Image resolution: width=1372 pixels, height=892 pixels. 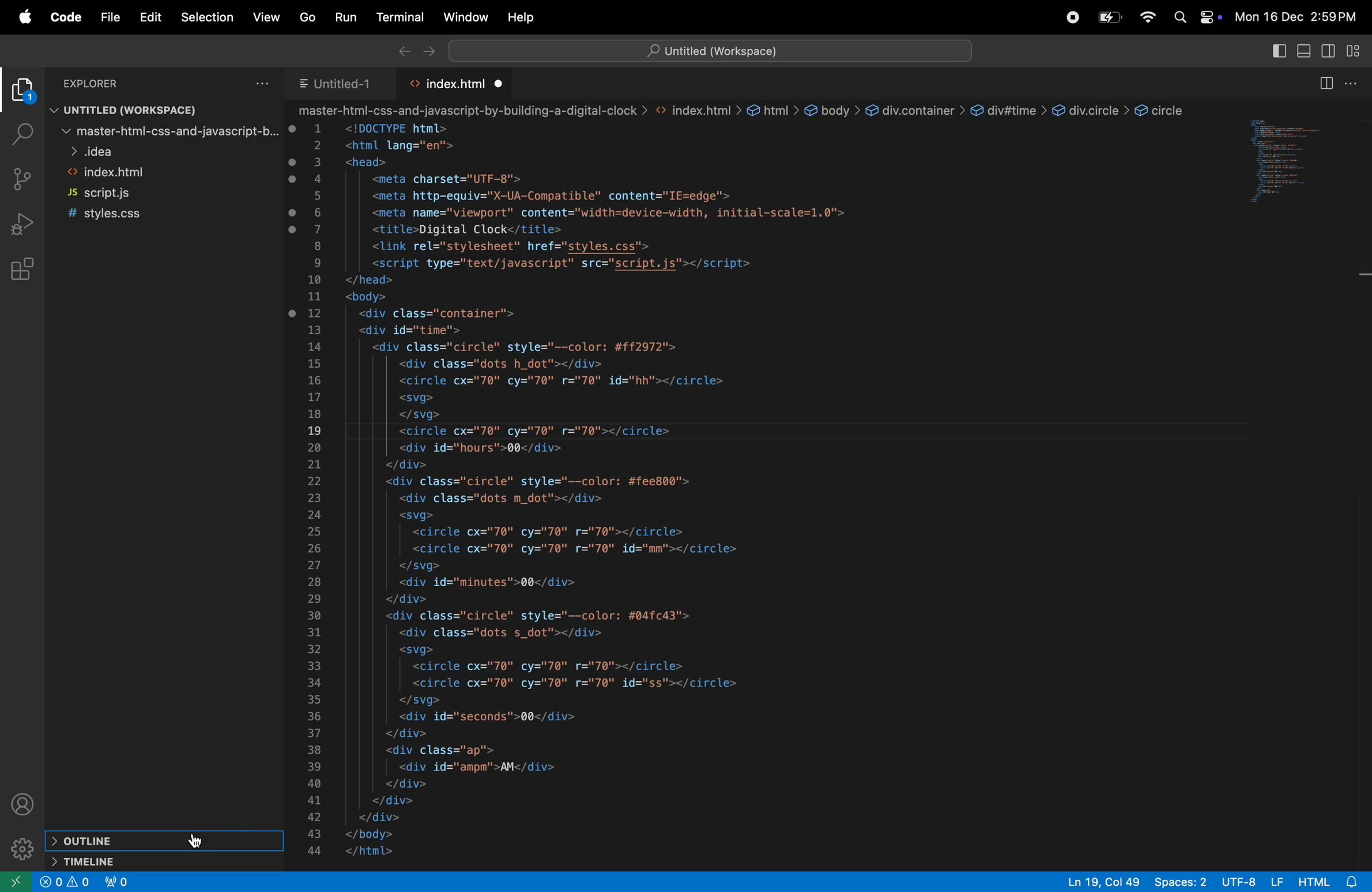 I want to click on file, so click(x=107, y=18).